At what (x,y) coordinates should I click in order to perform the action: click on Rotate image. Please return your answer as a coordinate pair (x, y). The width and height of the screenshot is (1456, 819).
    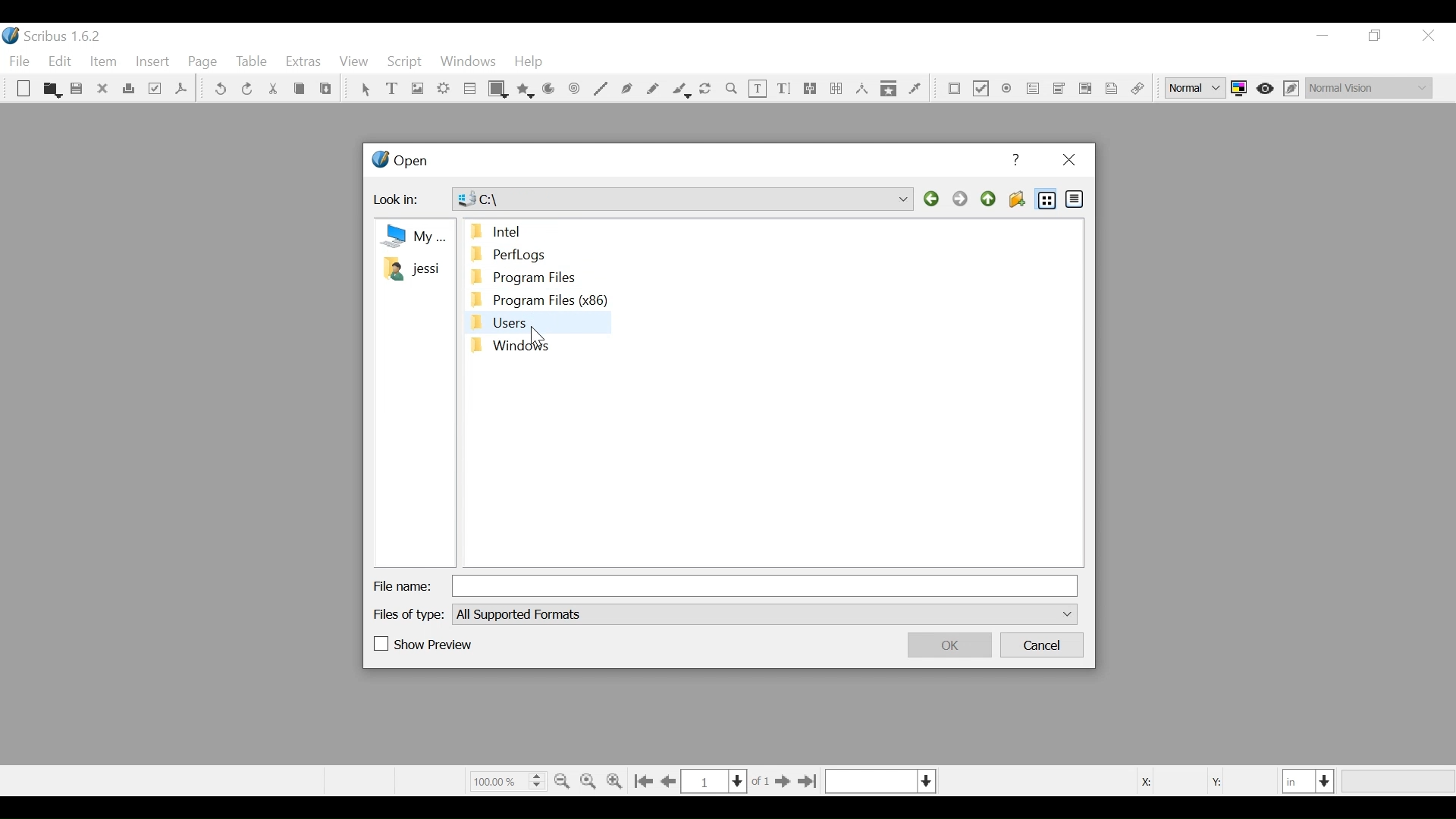
    Looking at the image, I should click on (707, 89).